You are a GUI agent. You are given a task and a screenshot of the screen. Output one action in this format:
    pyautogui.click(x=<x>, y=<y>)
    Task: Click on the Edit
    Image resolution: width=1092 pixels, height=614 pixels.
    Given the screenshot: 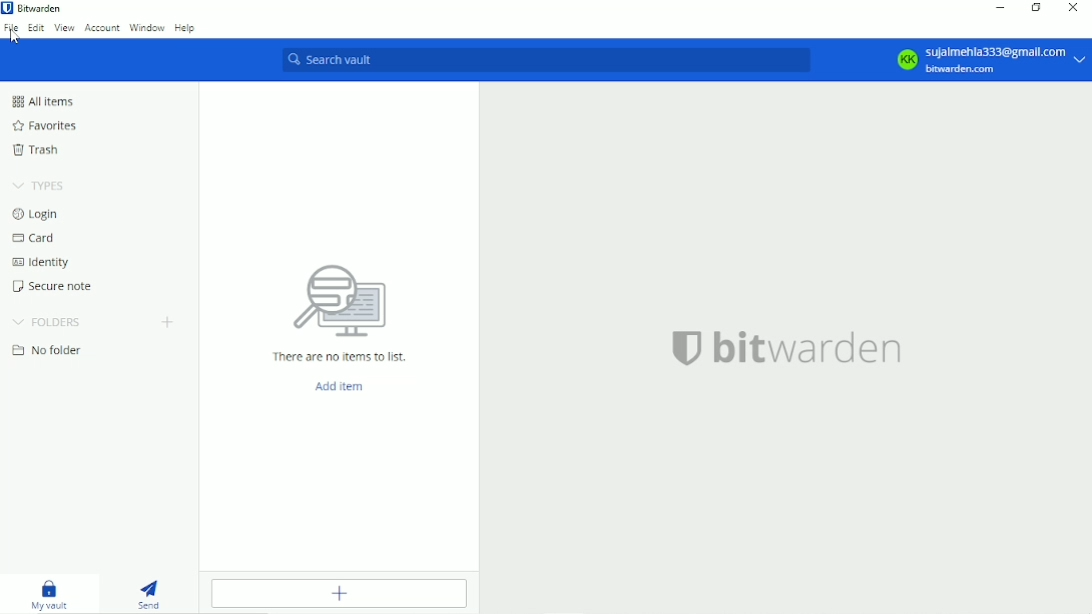 What is the action you would take?
    pyautogui.click(x=37, y=27)
    